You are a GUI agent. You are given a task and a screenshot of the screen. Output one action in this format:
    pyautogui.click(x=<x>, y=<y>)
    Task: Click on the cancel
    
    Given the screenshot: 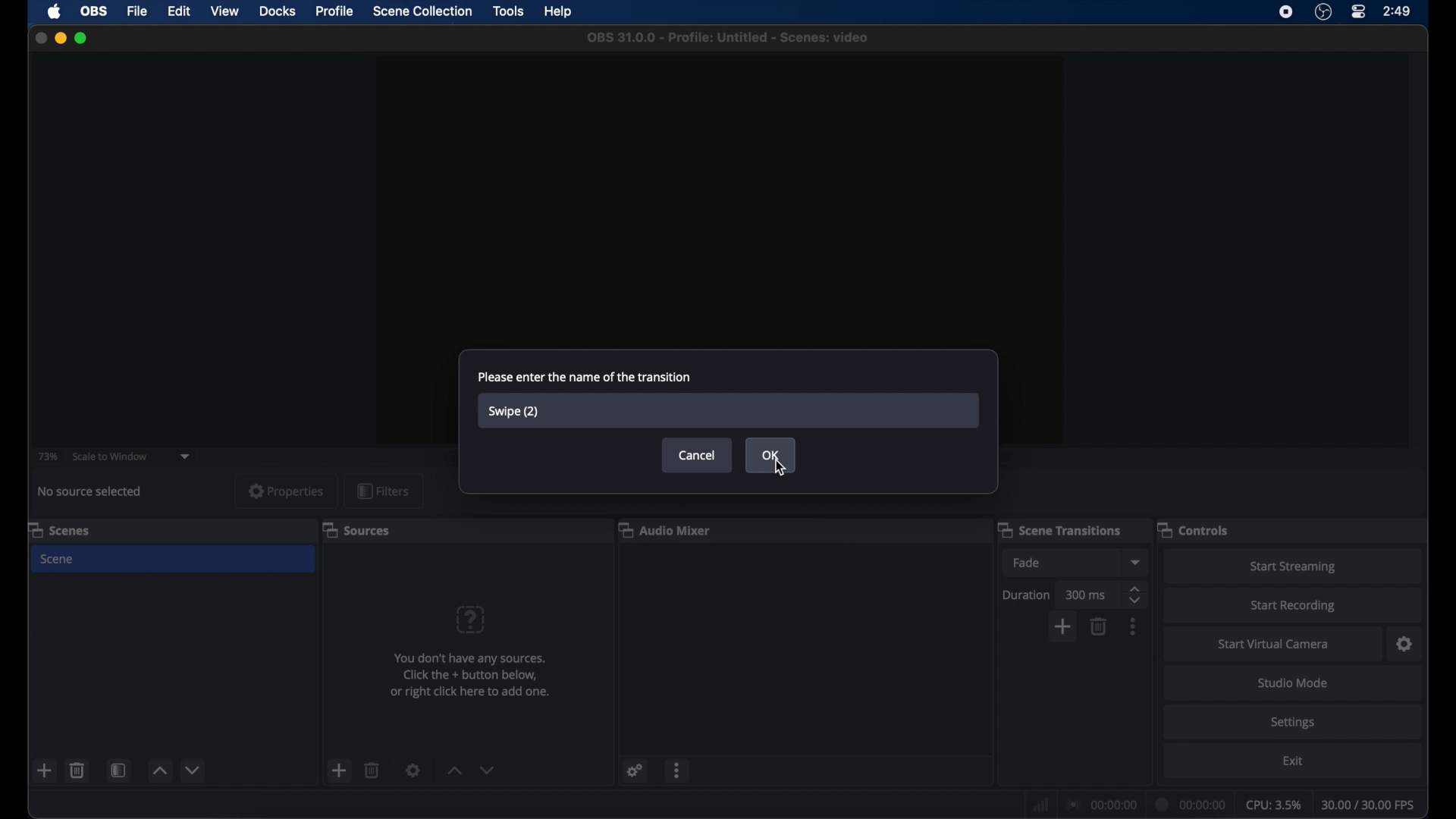 What is the action you would take?
    pyautogui.click(x=698, y=455)
    